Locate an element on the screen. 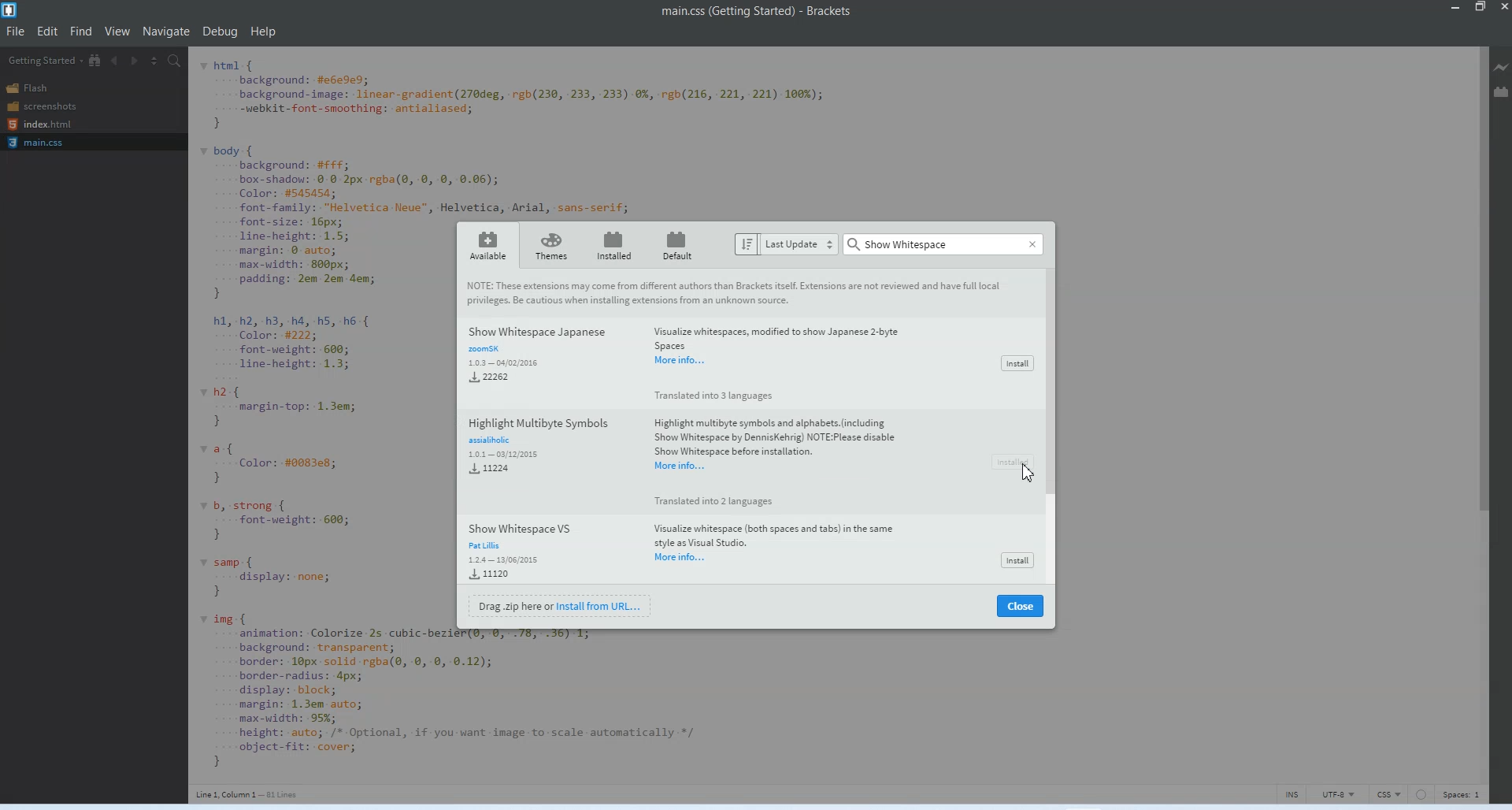 The height and width of the screenshot is (810, 1512). Cursor is located at coordinates (1028, 474).